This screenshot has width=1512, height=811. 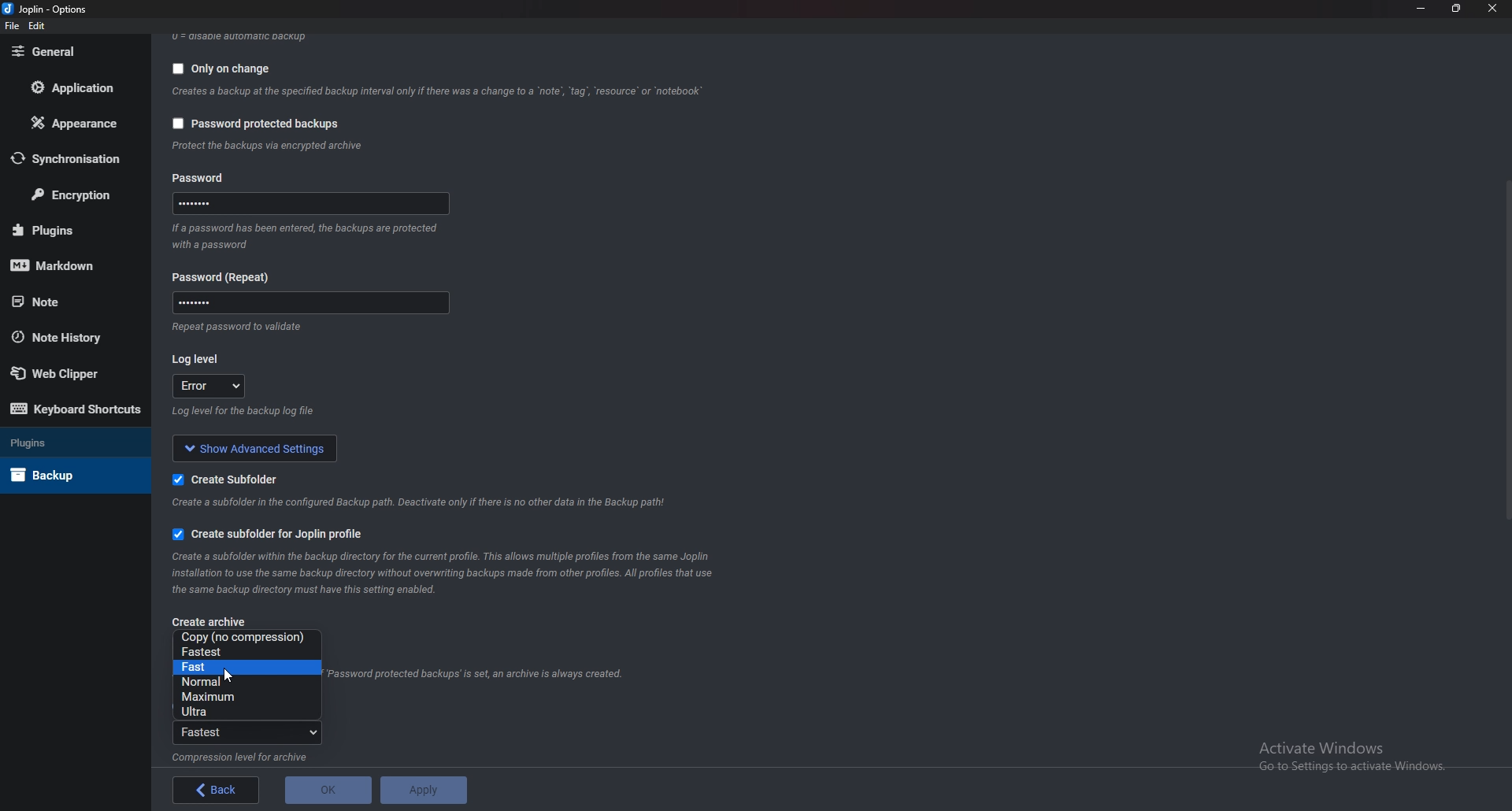 What do you see at coordinates (69, 52) in the screenshot?
I see `General` at bounding box center [69, 52].